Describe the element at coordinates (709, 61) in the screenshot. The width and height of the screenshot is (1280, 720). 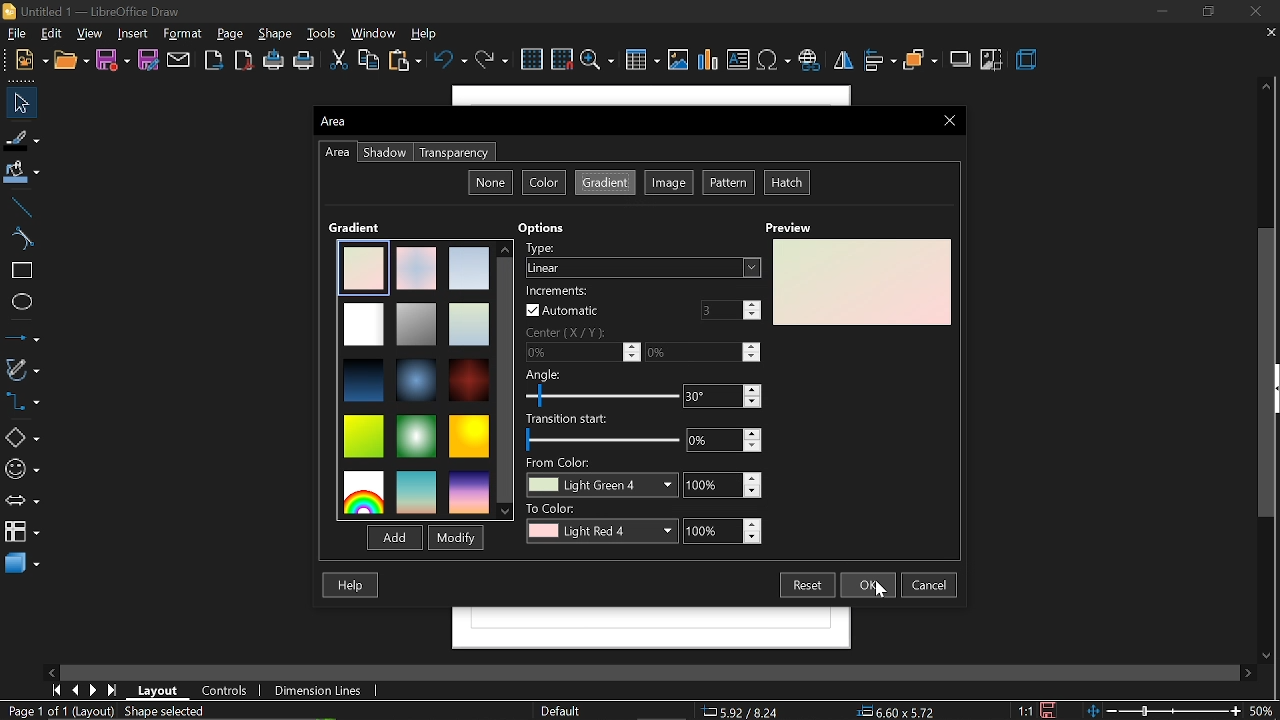
I see `Insert chart` at that location.